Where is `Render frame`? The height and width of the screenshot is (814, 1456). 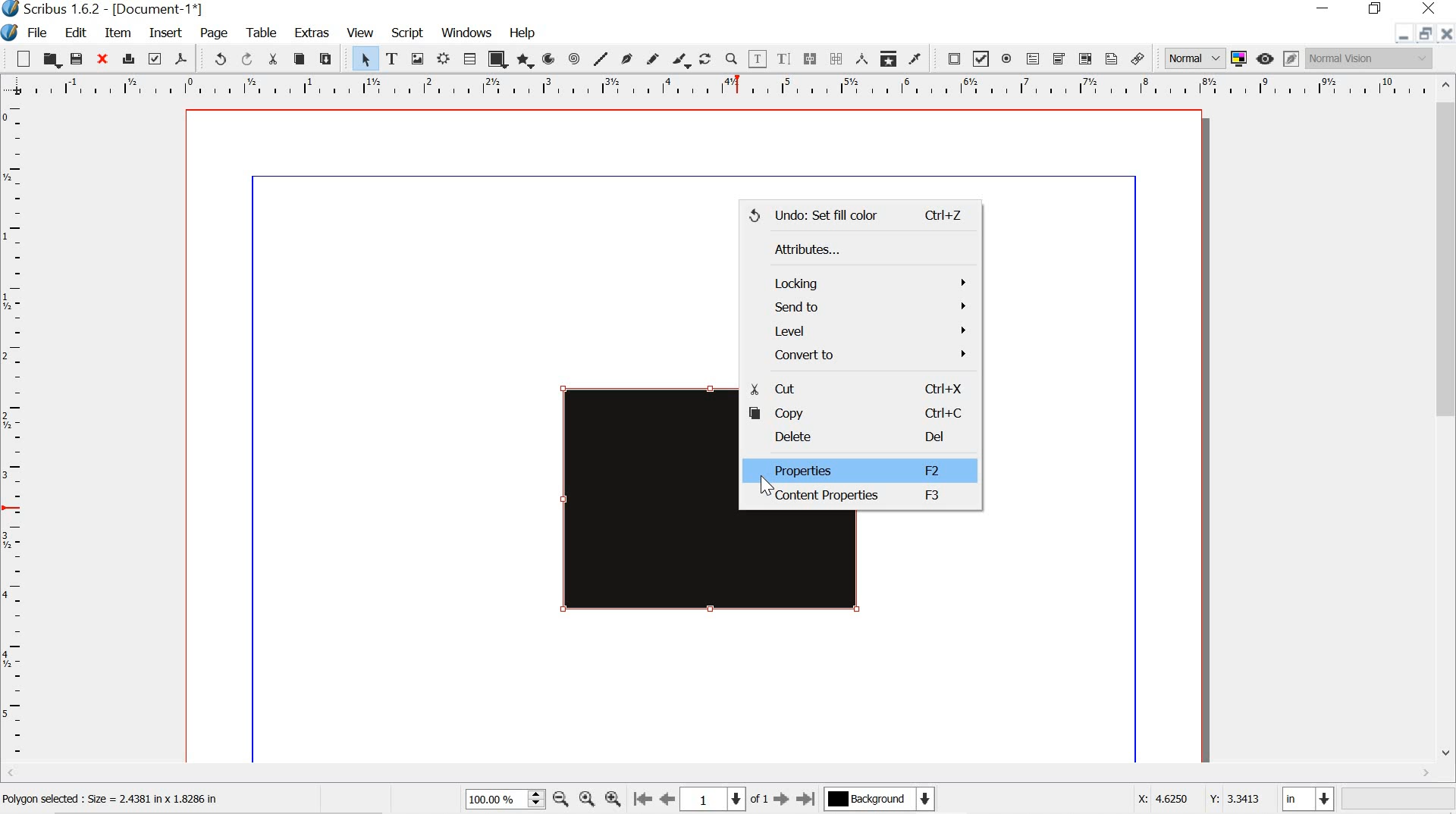 Render frame is located at coordinates (442, 59).